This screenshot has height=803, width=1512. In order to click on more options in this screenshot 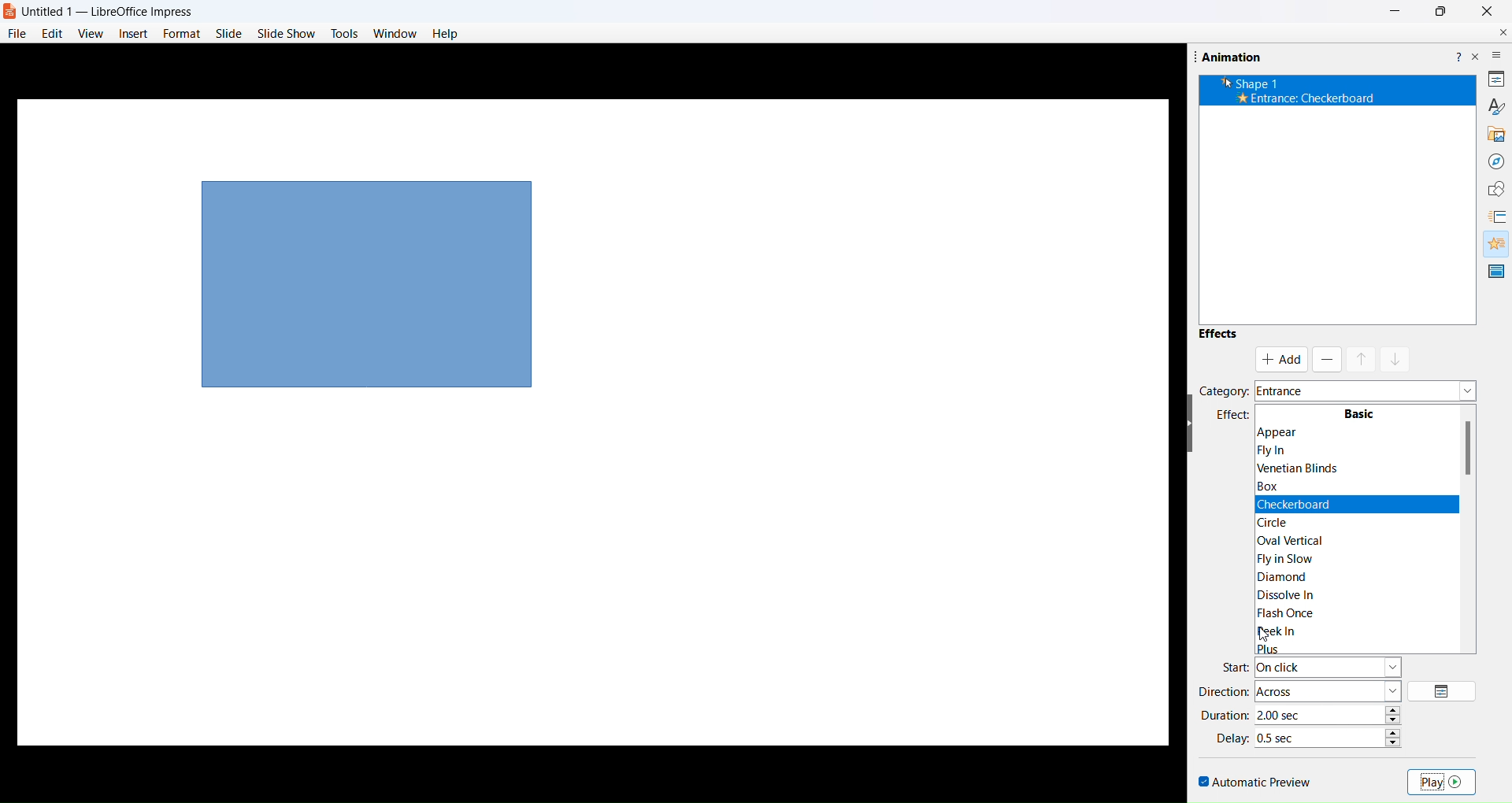, I will do `click(1497, 53)`.